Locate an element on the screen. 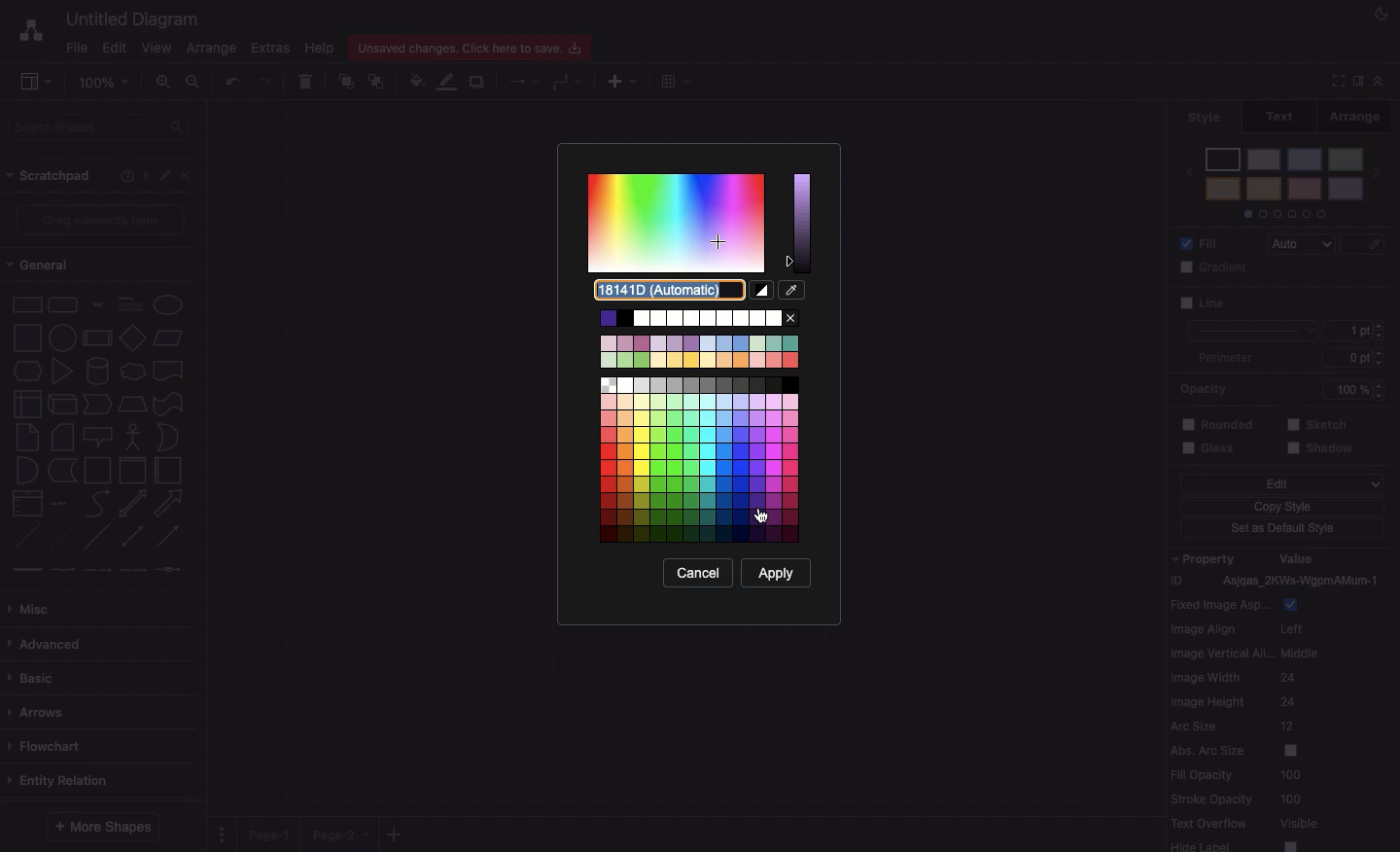 Image resolution: width=1400 pixels, height=852 pixels. View is located at coordinates (158, 47).